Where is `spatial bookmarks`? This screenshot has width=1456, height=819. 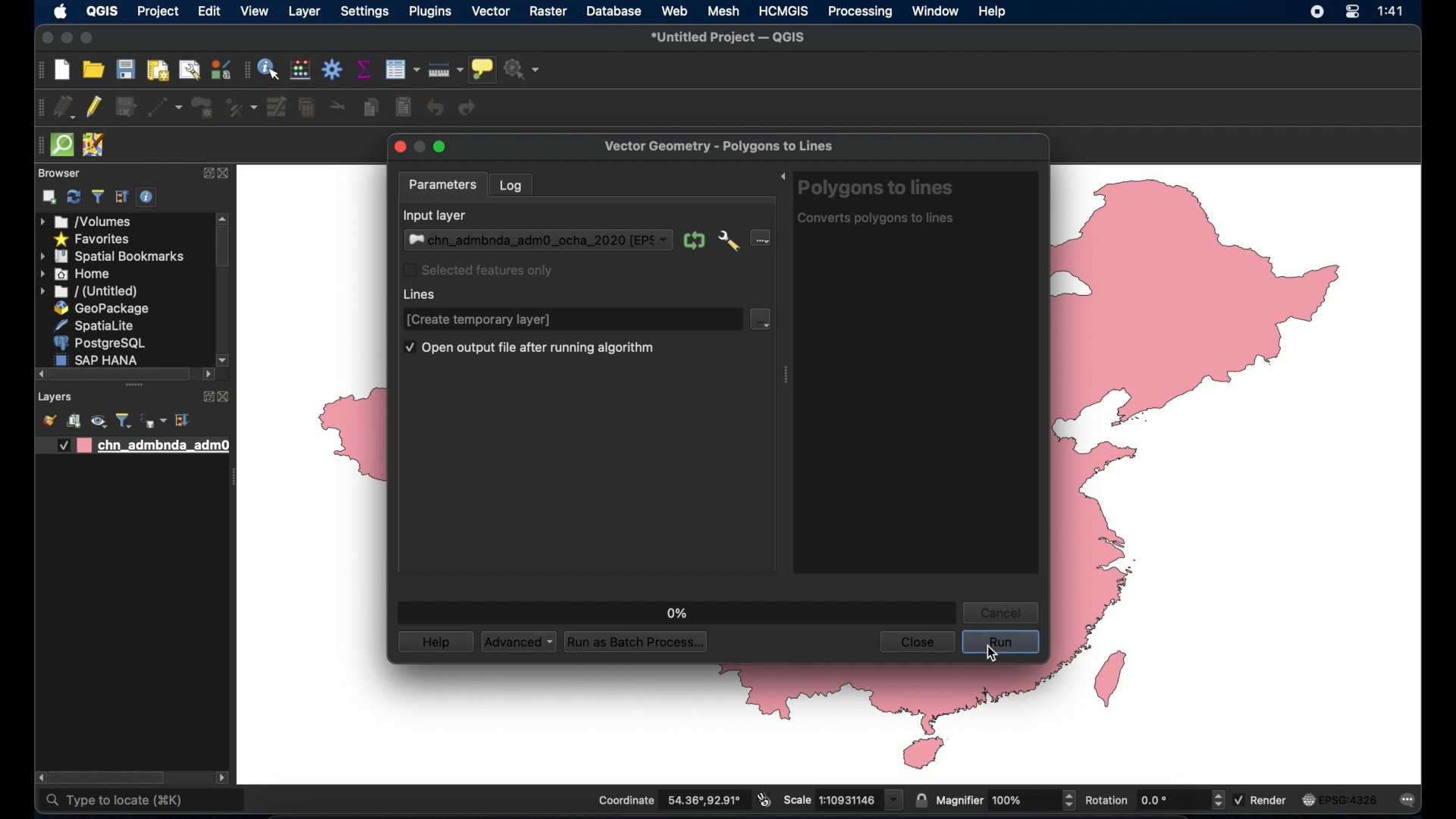
spatial bookmarks is located at coordinates (113, 257).